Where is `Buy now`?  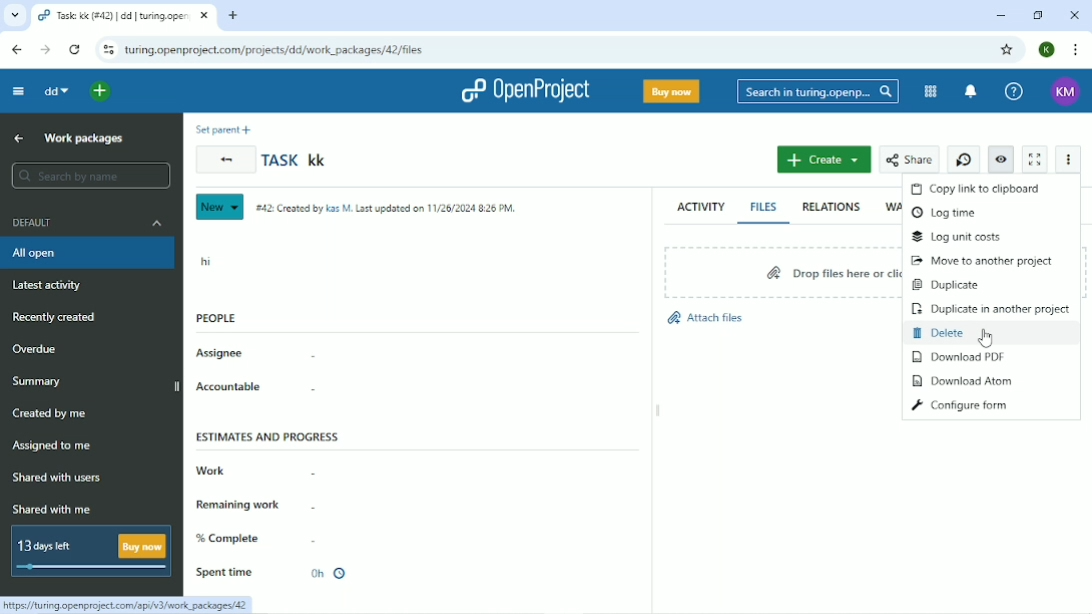
Buy now is located at coordinates (671, 91).